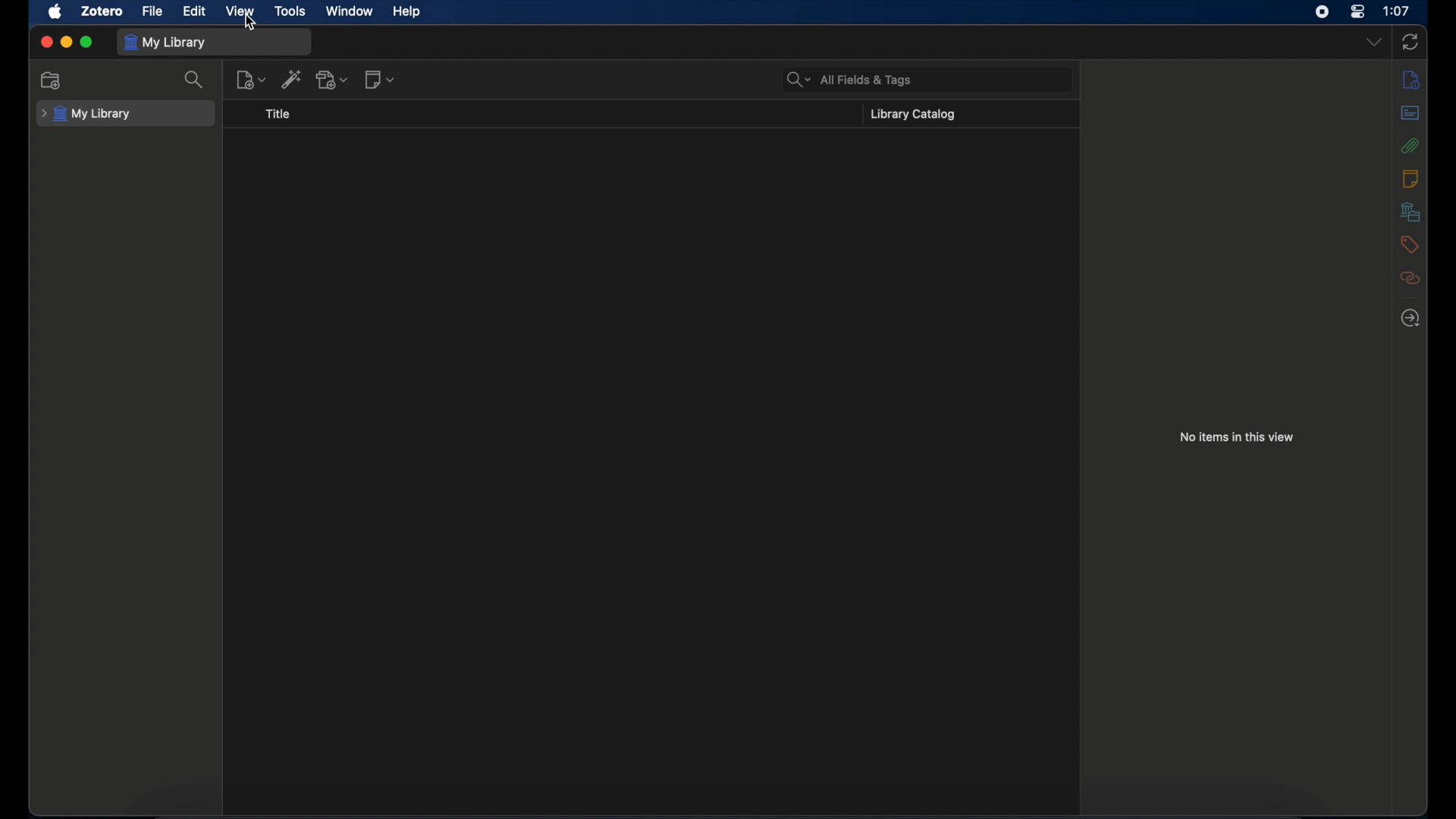 The height and width of the screenshot is (819, 1456). What do you see at coordinates (250, 80) in the screenshot?
I see `new item` at bounding box center [250, 80].